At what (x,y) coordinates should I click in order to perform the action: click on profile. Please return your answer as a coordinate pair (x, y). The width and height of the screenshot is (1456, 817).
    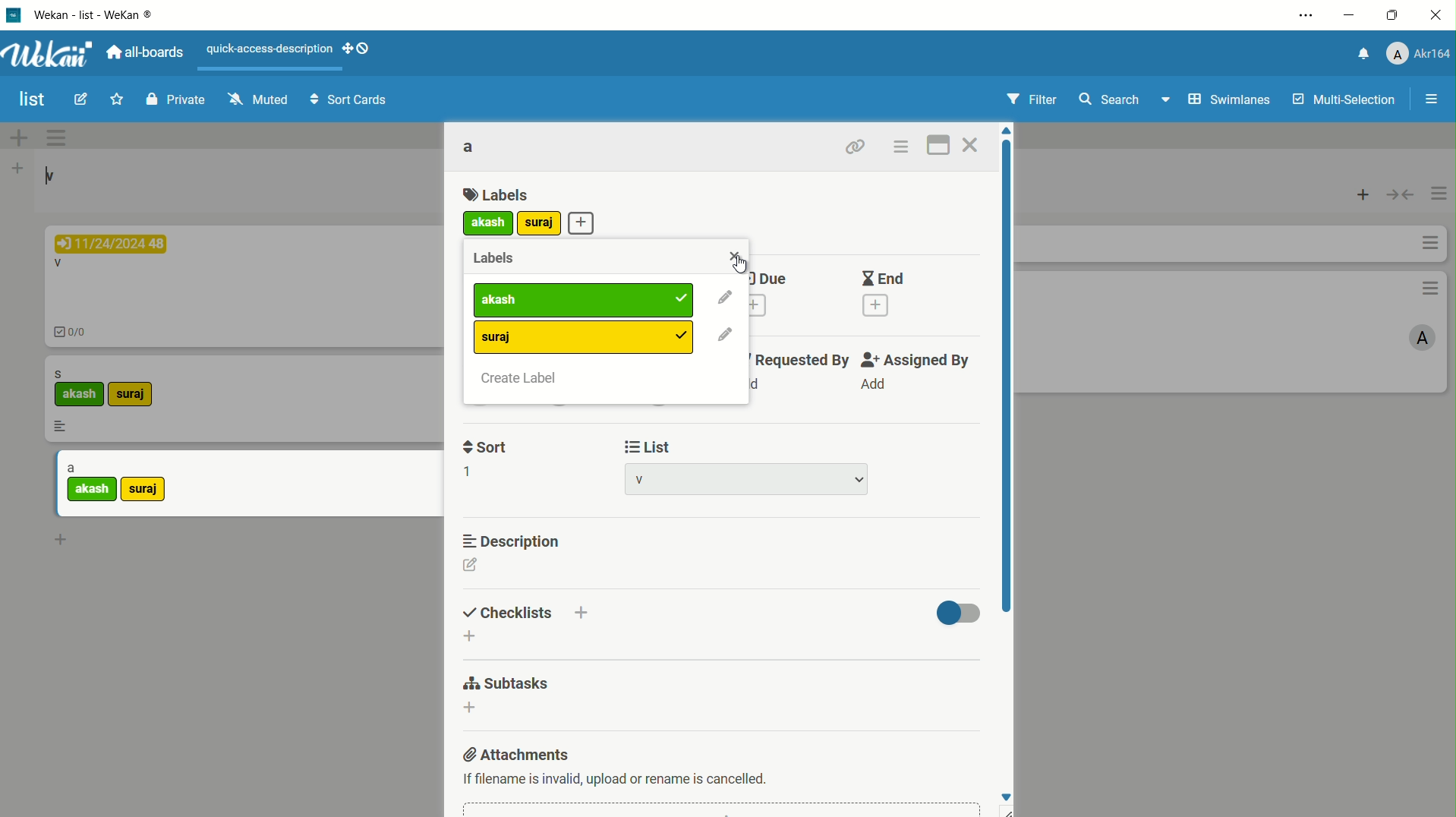
    Looking at the image, I should click on (1419, 54).